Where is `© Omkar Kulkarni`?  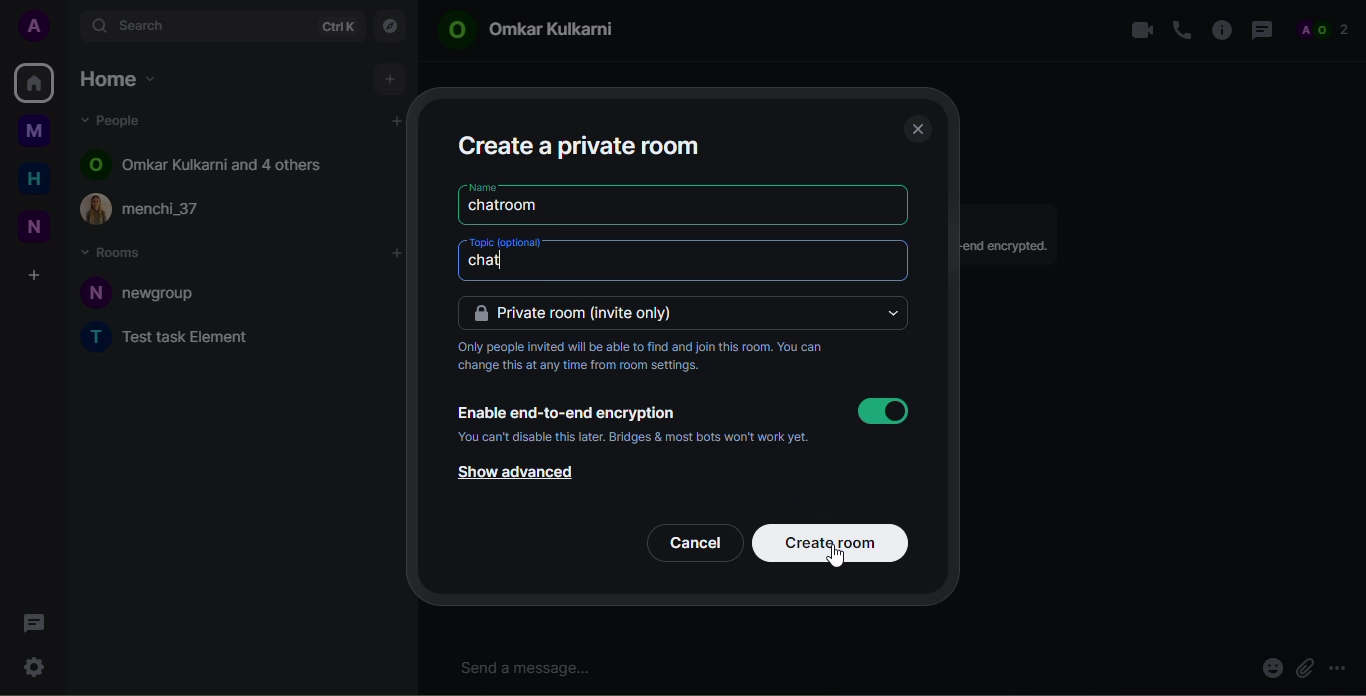 © Omkar Kulkarni is located at coordinates (538, 29).